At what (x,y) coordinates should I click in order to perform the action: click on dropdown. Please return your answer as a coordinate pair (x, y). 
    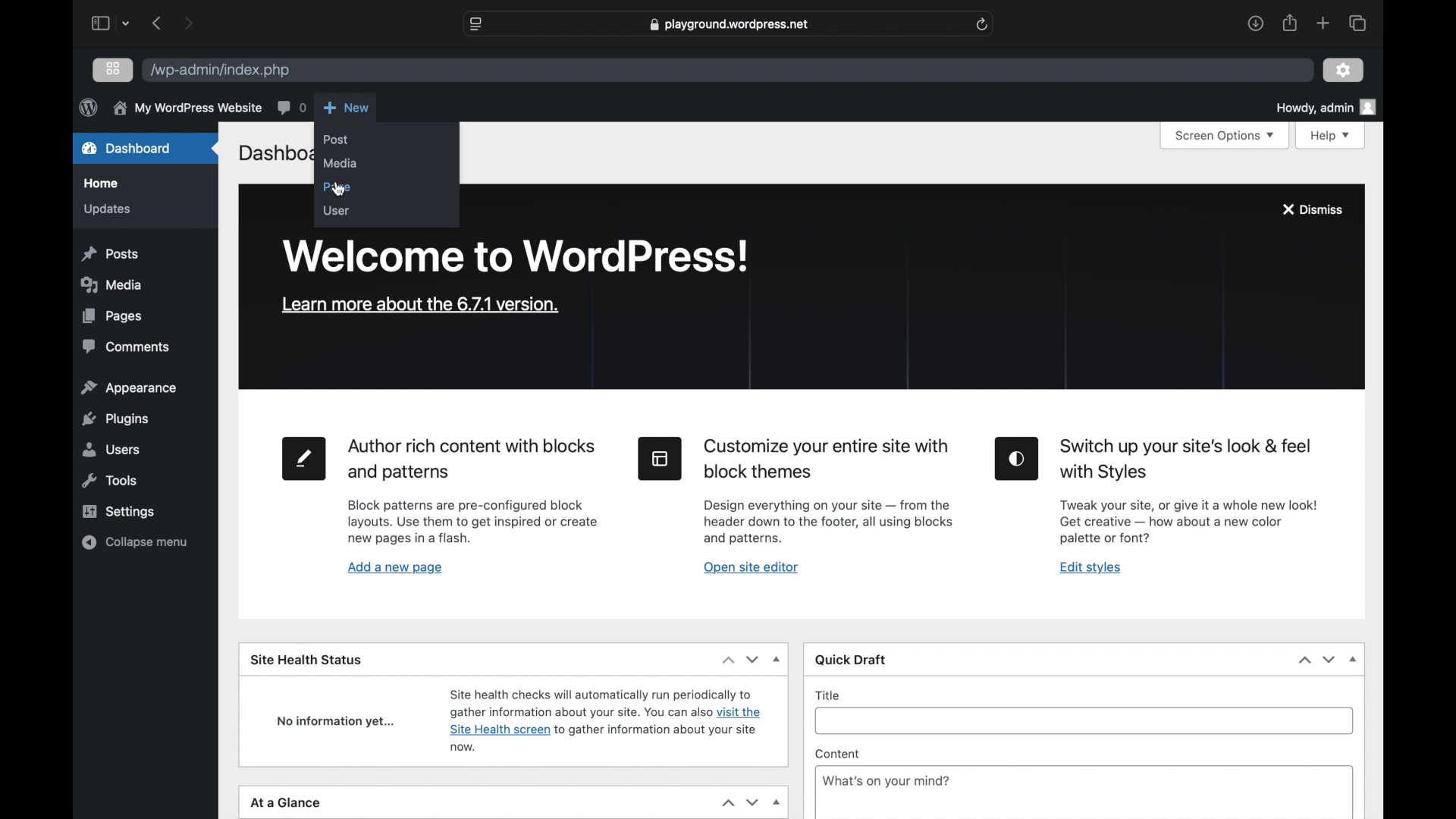
    Looking at the image, I should click on (778, 804).